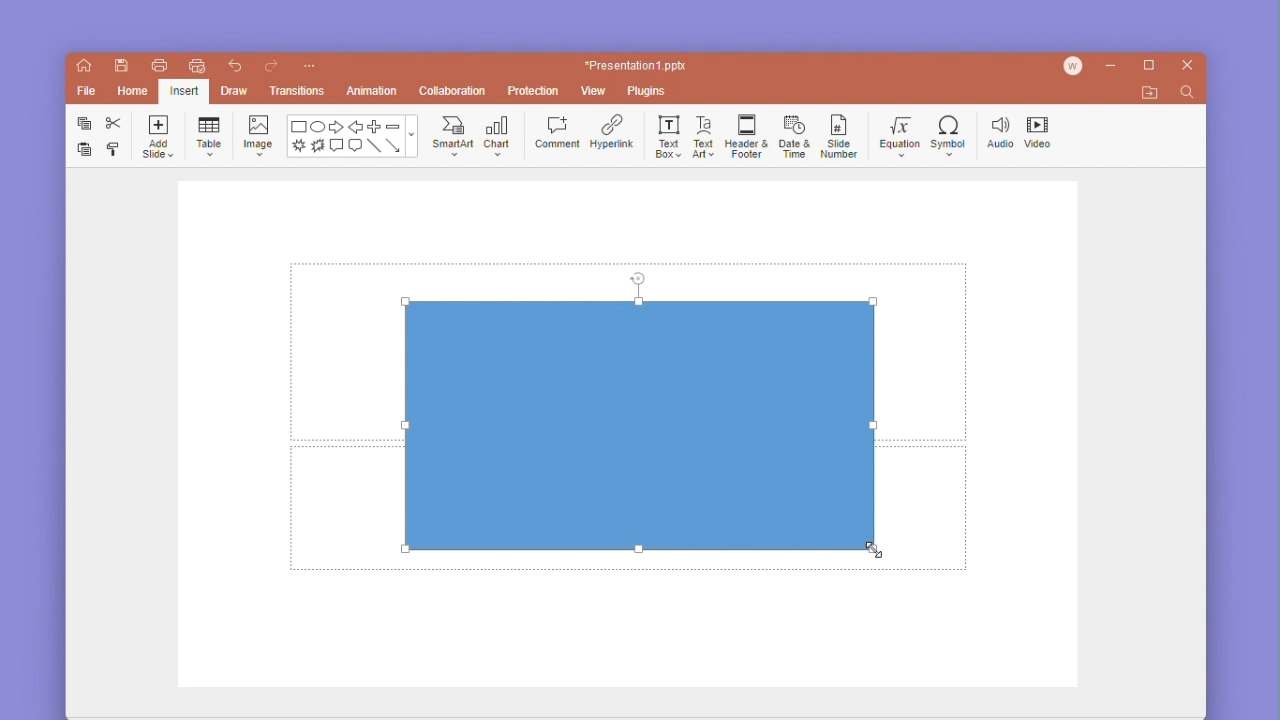 The width and height of the screenshot is (1280, 720). Describe the element at coordinates (612, 131) in the screenshot. I see `hyperlink` at that location.